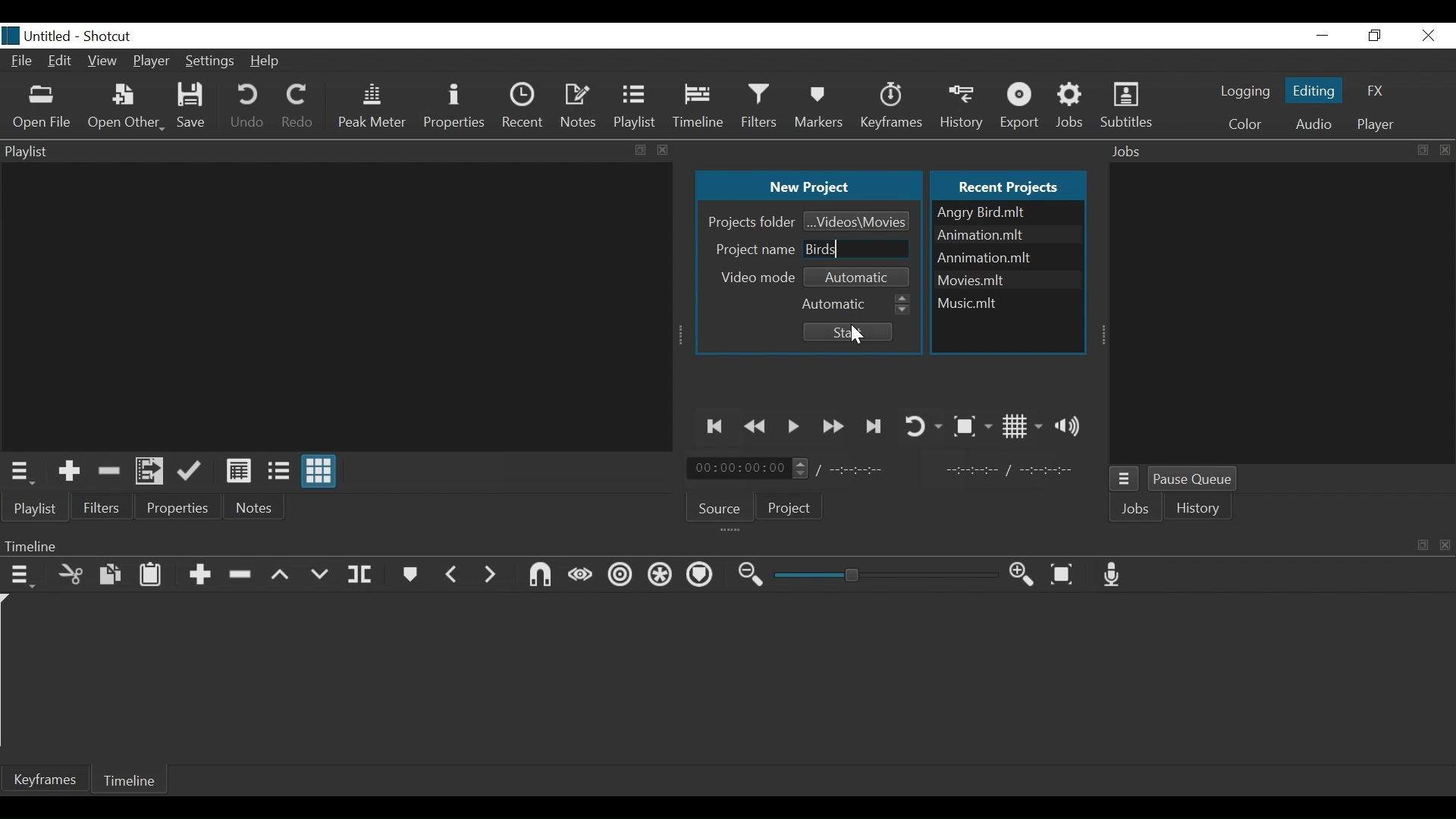 The width and height of the screenshot is (1456, 819). Describe the element at coordinates (867, 470) in the screenshot. I see `Total Duration` at that location.